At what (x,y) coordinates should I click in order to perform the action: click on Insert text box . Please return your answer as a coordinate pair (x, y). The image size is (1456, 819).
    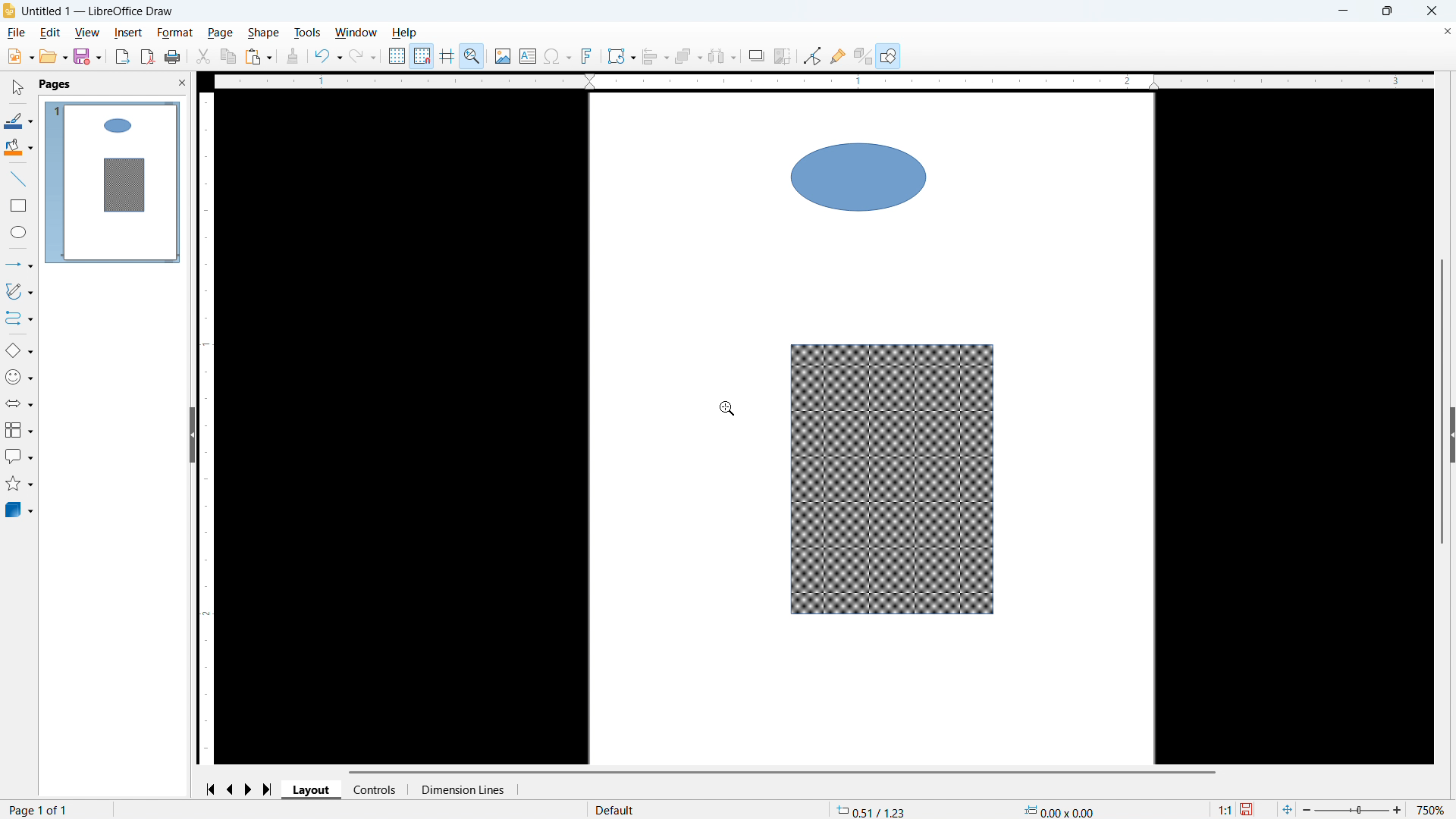
    Looking at the image, I should click on (528, 55).